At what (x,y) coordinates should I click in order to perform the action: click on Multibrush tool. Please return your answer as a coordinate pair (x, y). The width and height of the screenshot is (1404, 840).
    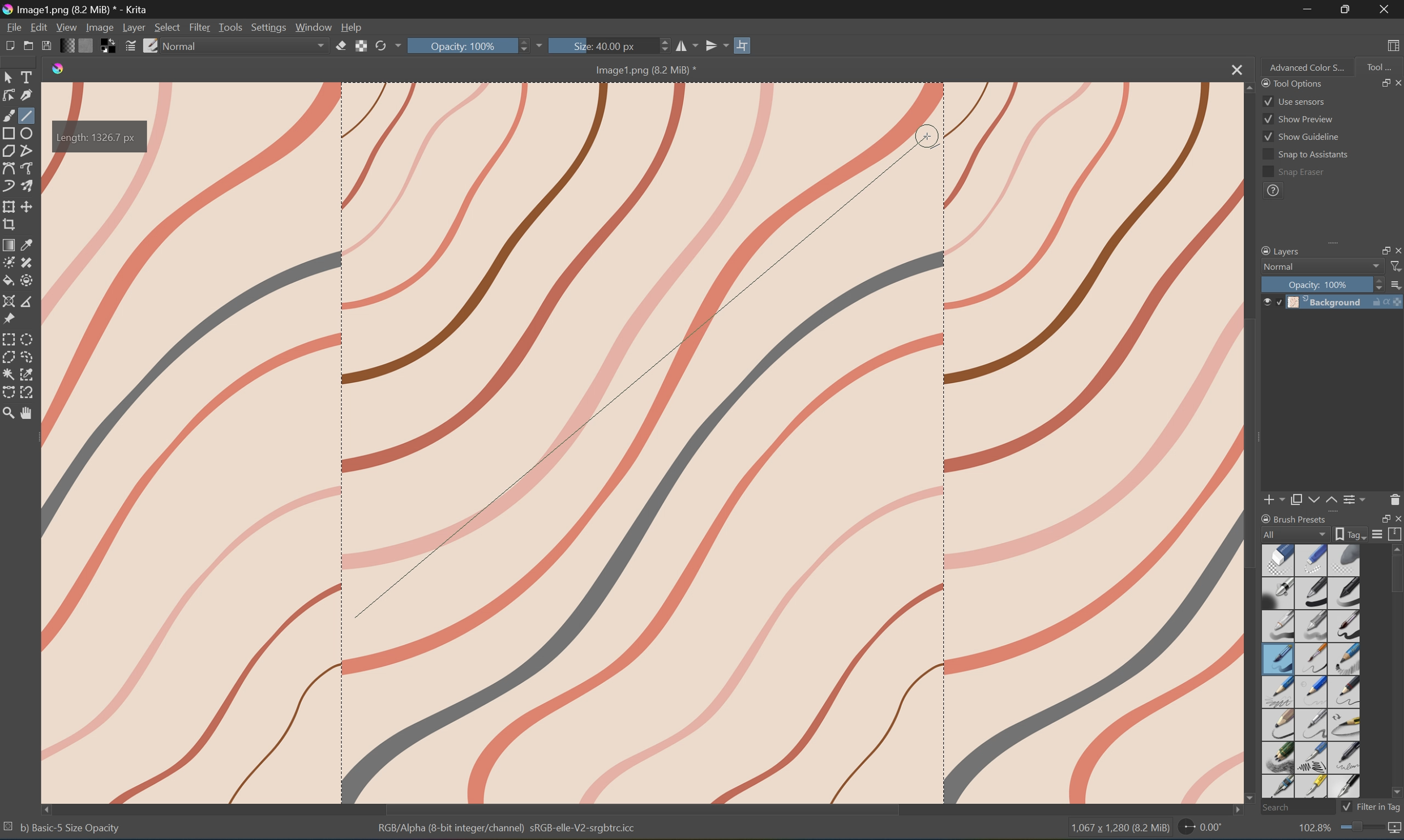
    Looking at the image, I should click on (29, 185).